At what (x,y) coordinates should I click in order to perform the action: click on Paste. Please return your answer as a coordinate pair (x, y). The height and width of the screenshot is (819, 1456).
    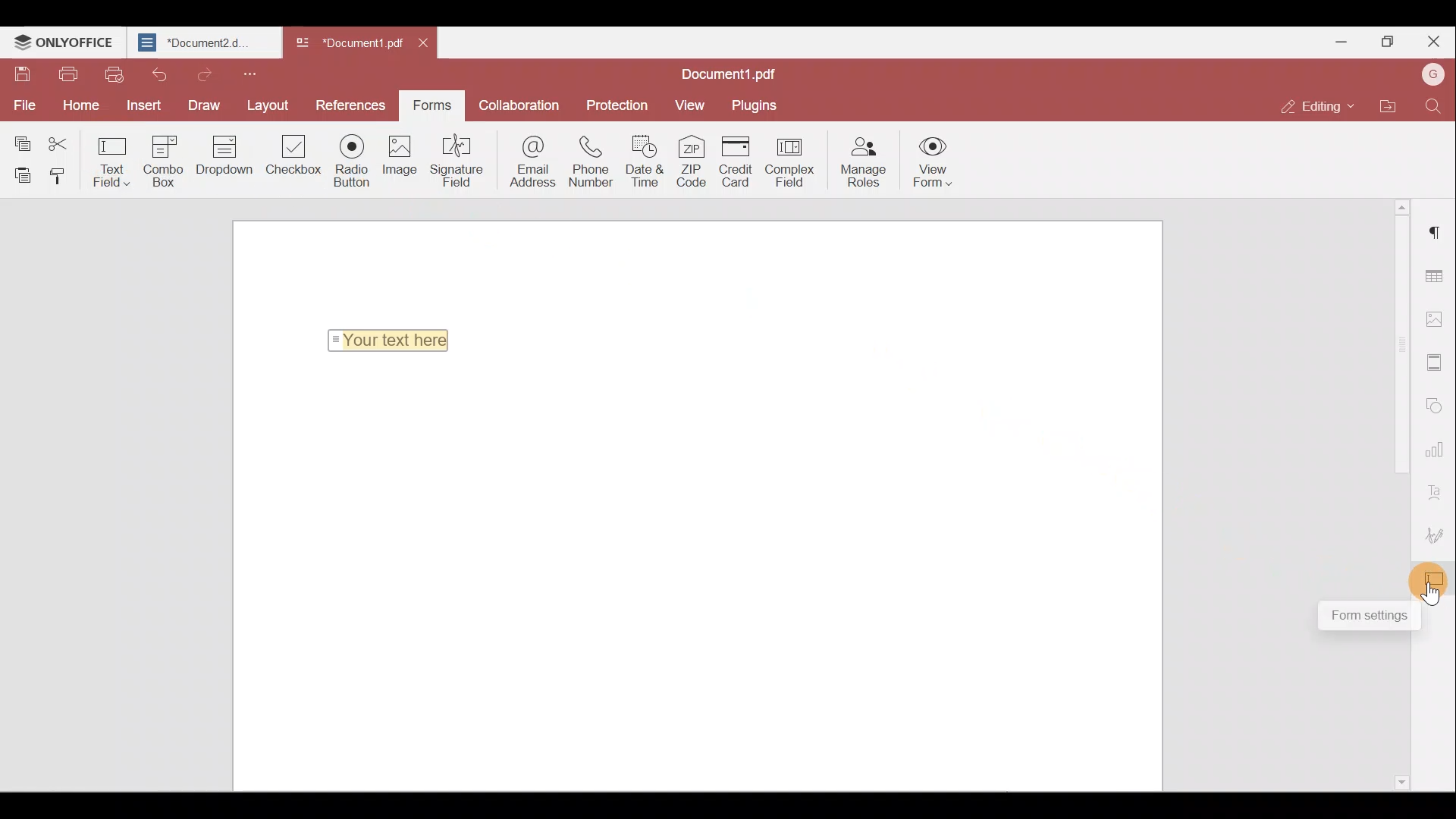
    Looking at the image, I should click on (19, 174).